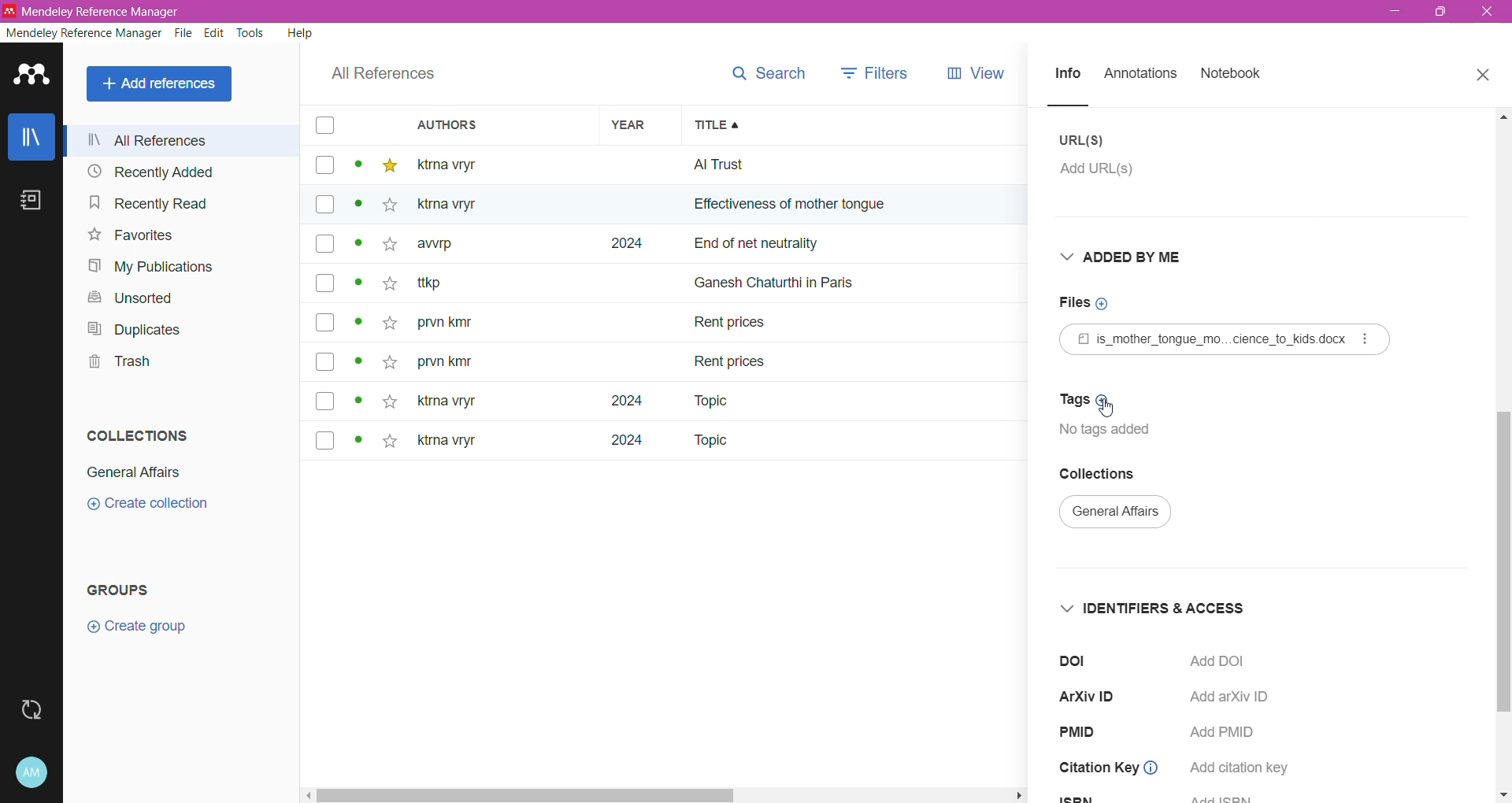  What do you see at coordinates (166, 202) in the screenshot?
I see `Recently Read` at bounding box center [166, 202].